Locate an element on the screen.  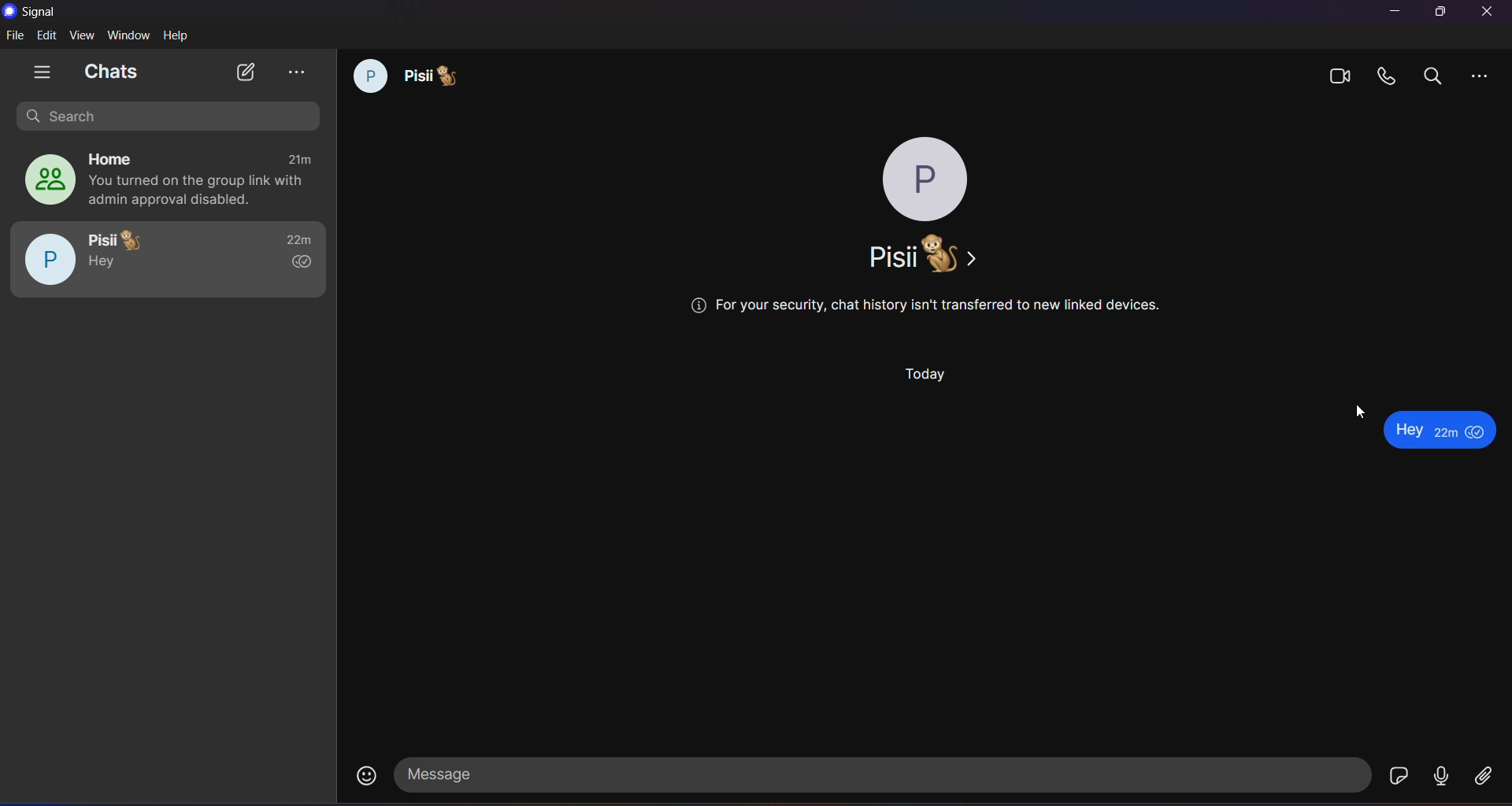
day is located at coordinates (928, 372).